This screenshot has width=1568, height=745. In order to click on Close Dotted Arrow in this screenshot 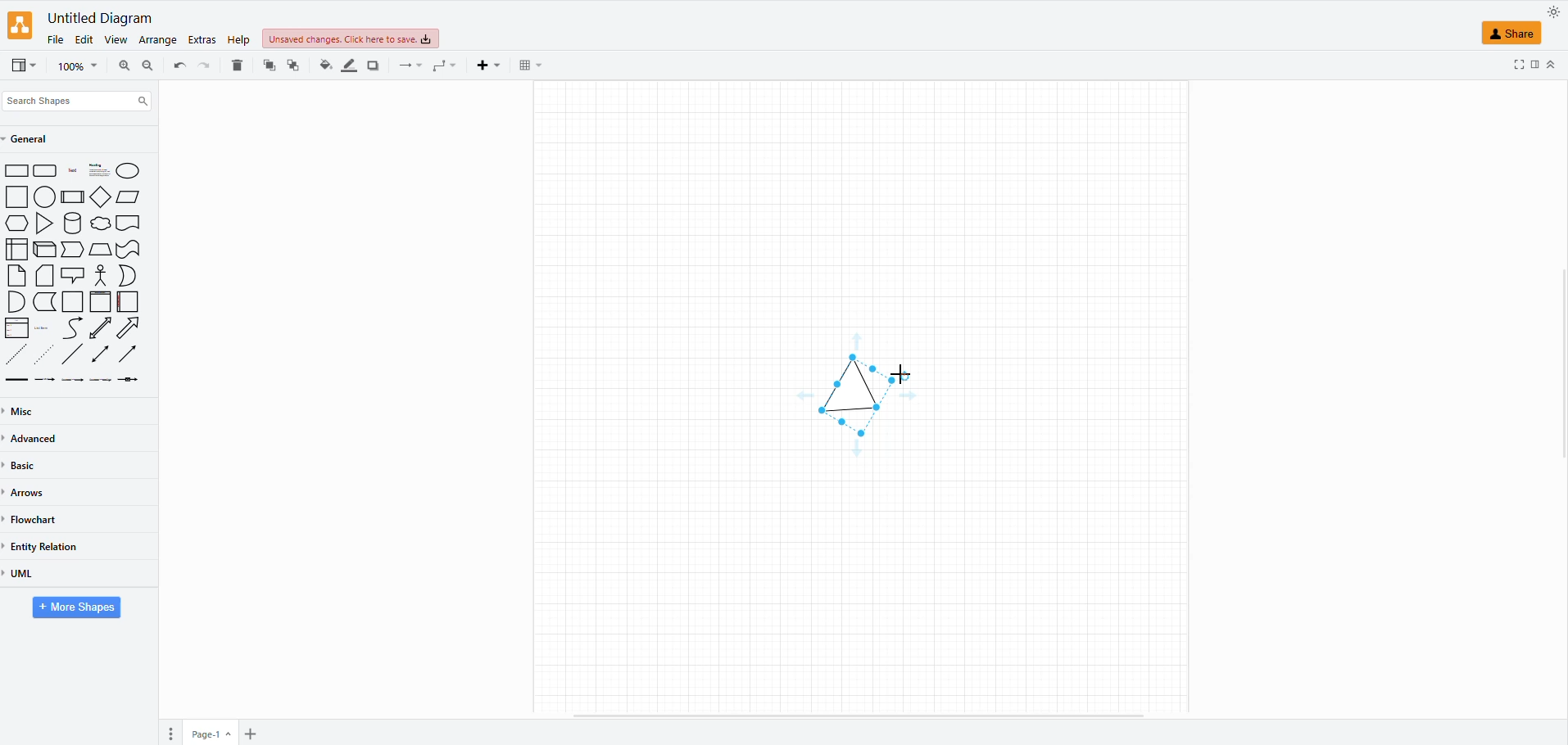, I will do `click(16, 354)`.